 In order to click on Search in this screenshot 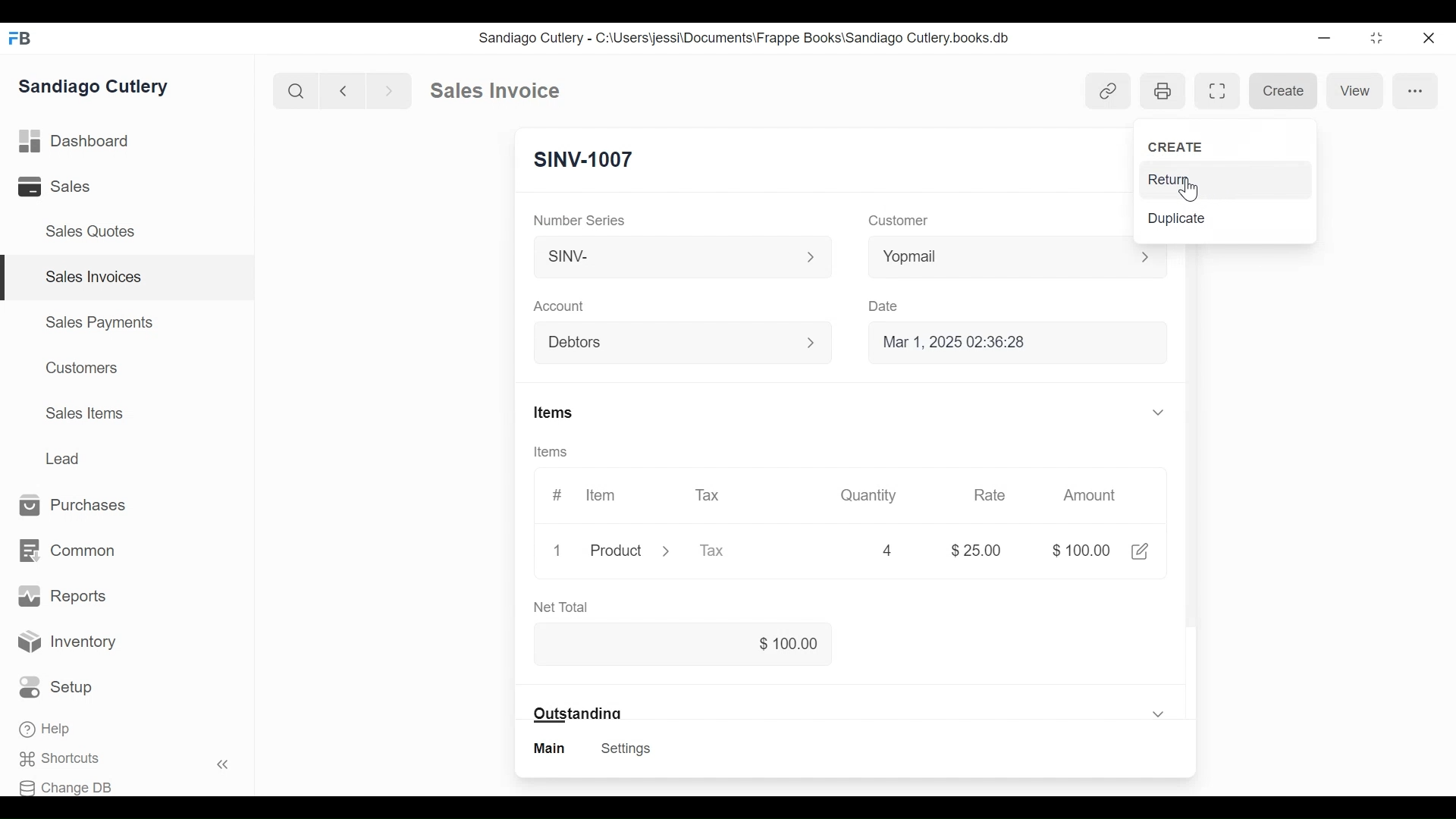, I will do `click(296, 89)`.